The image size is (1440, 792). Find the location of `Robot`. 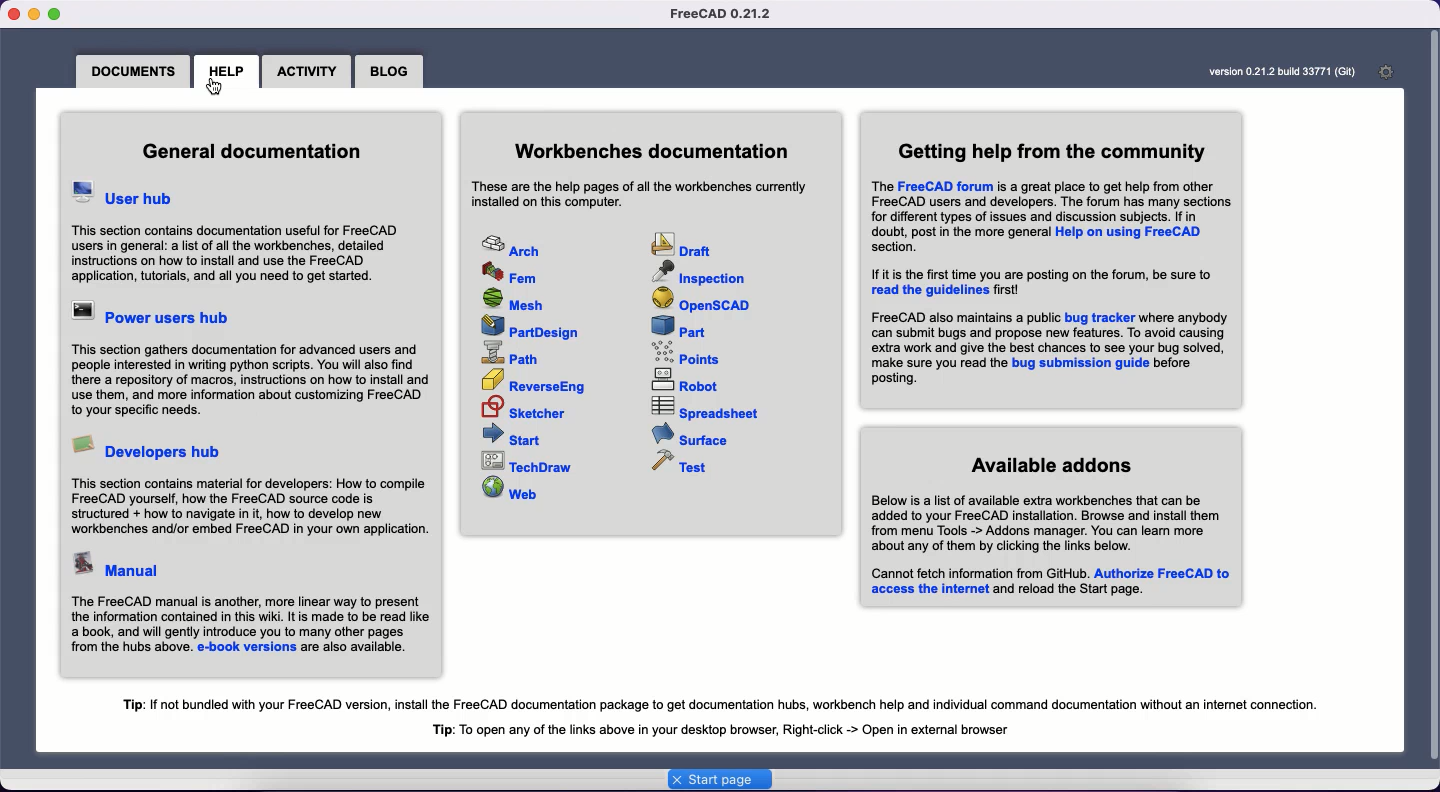

Robot is located at coordinates (688, 380).